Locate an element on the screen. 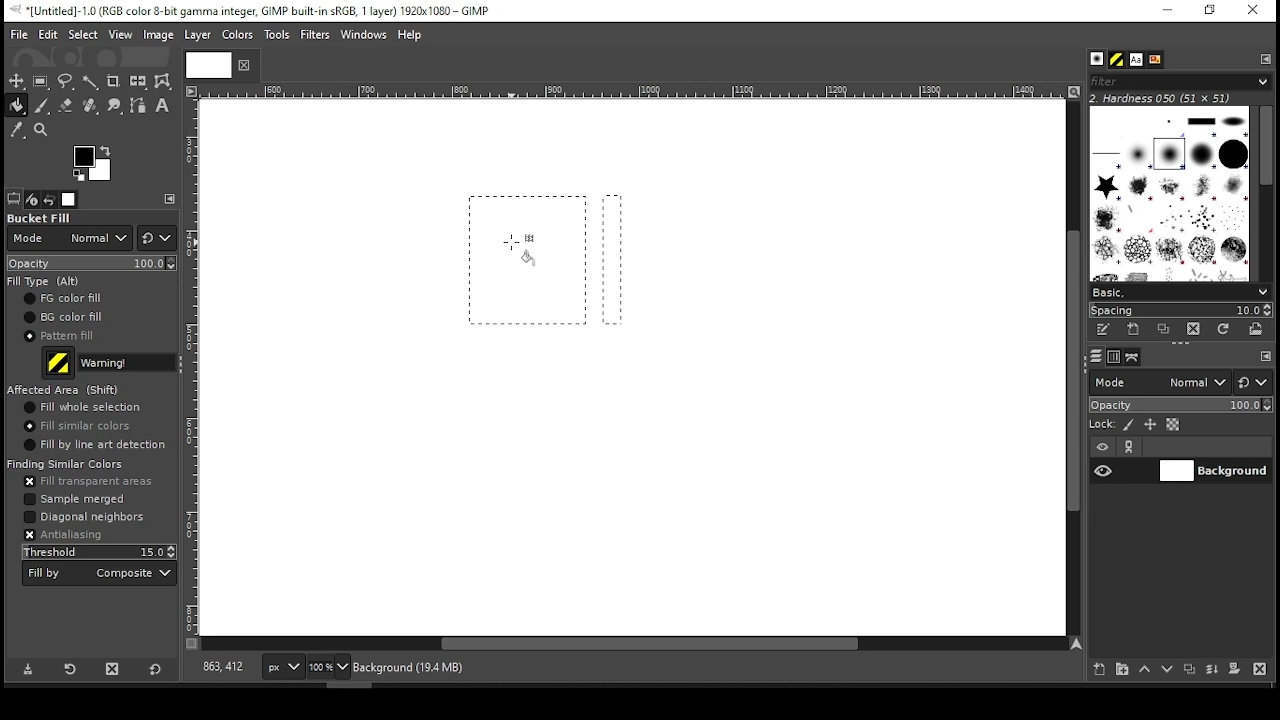 The width and height of the screenshot is (1280, 720). help is located at coordinates (410, 36).